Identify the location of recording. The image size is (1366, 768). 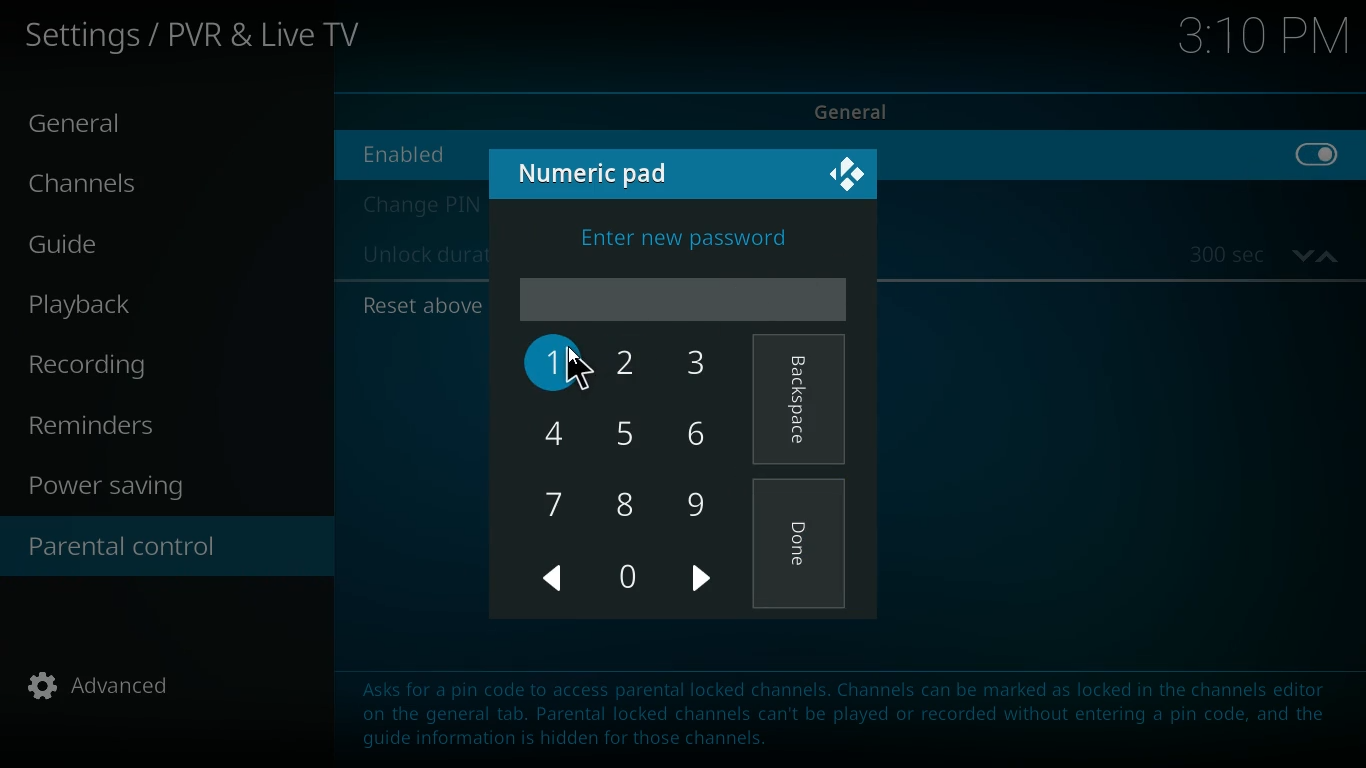
(117, 366).